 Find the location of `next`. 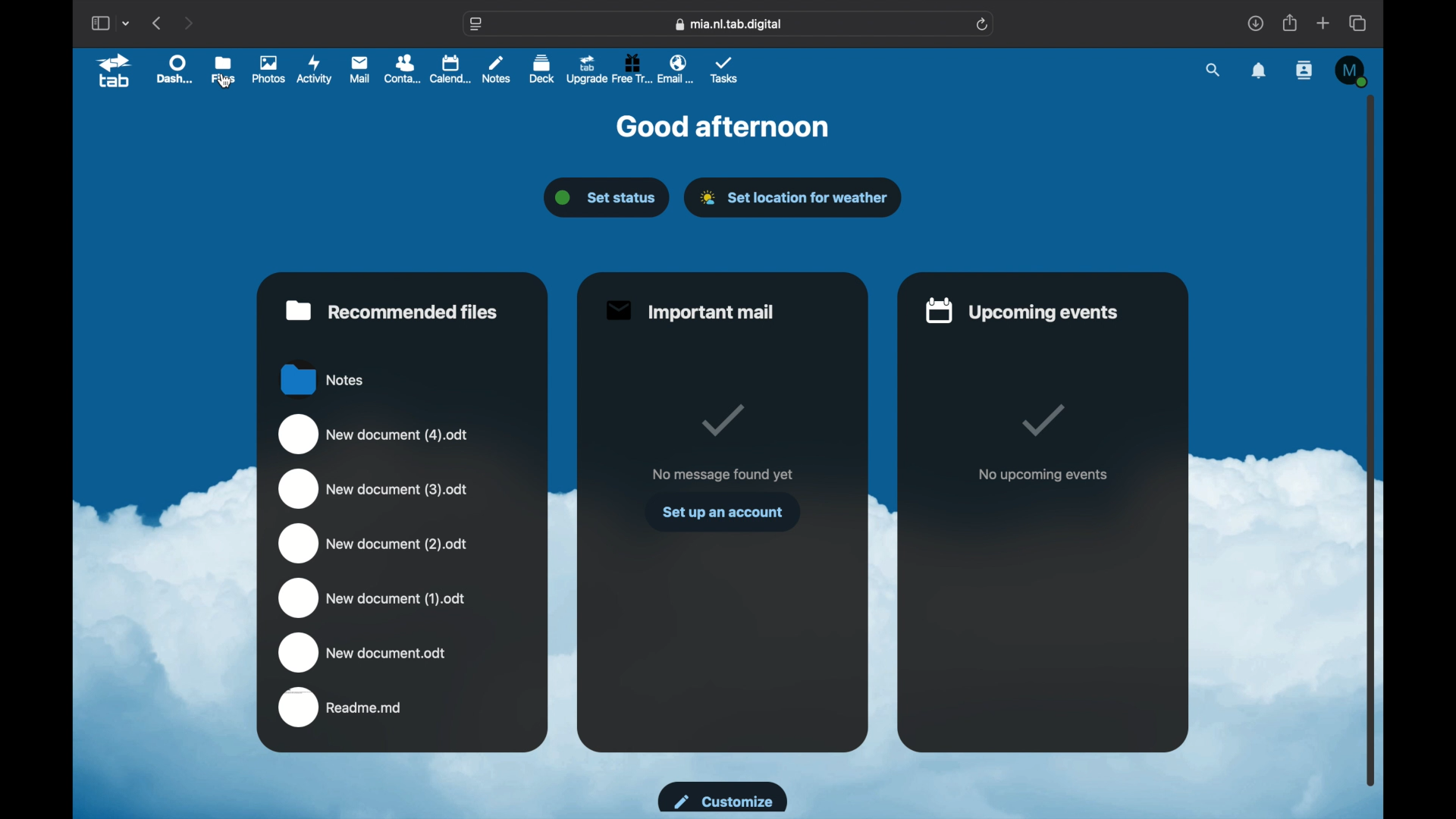

next is located at coordinates (188, 23).